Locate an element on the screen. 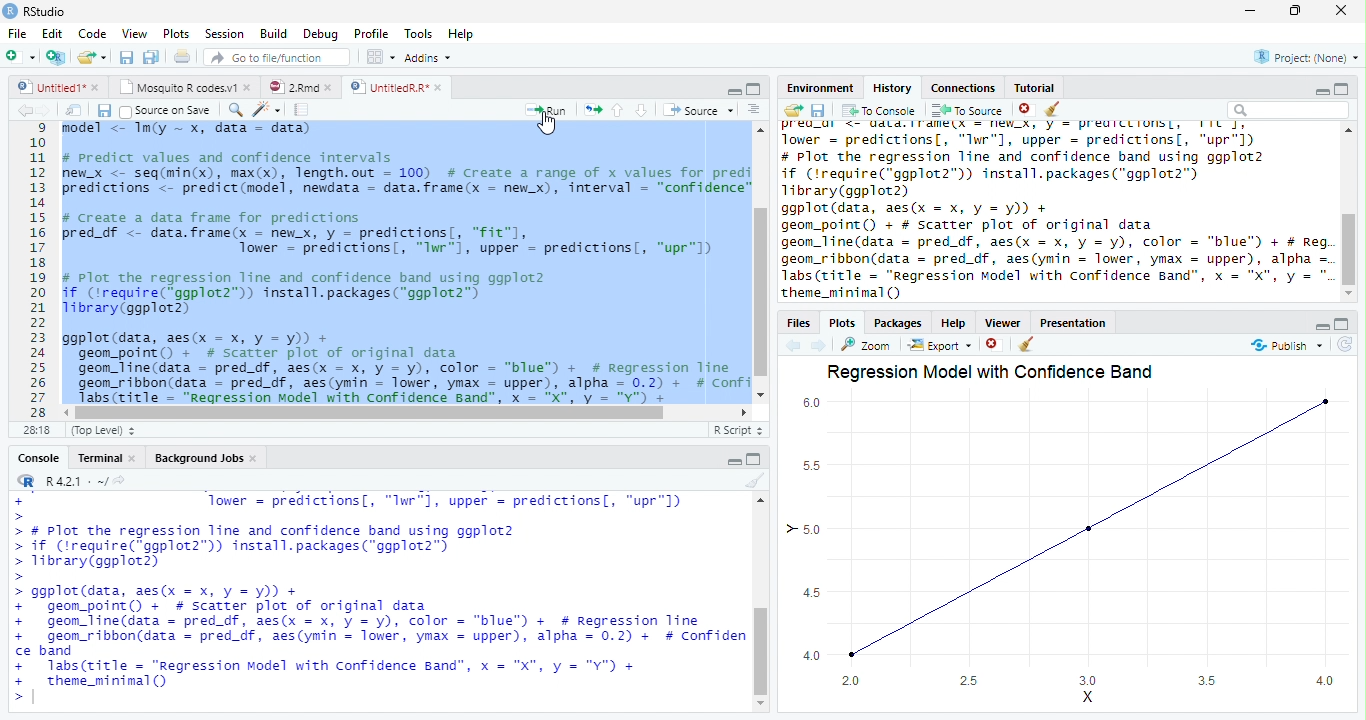  R studio is located at coordinates (38, 11).